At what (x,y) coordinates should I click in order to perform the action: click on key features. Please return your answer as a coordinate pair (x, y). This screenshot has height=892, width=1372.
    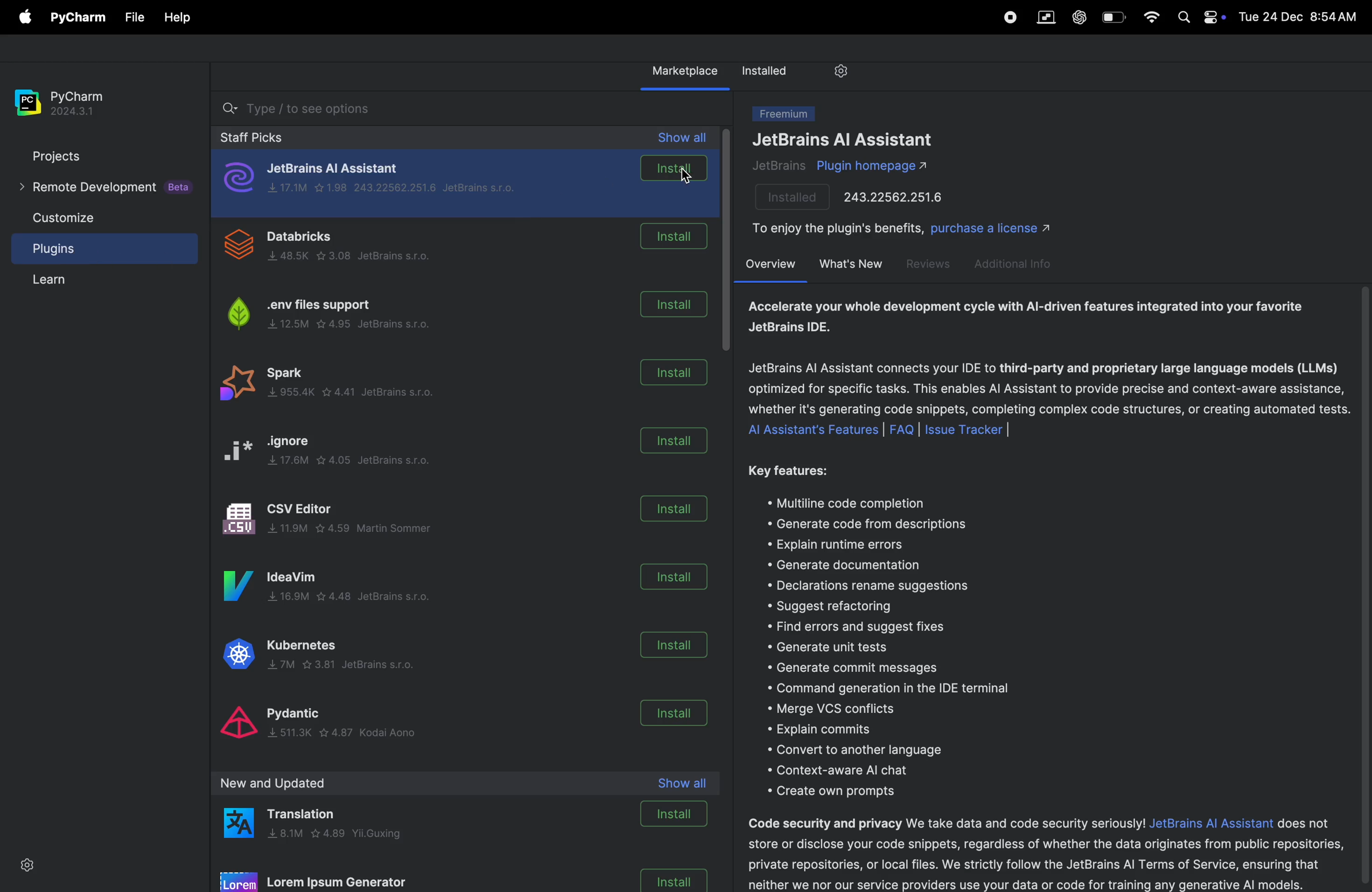
    Looking at the image, I should click on (806, 471).